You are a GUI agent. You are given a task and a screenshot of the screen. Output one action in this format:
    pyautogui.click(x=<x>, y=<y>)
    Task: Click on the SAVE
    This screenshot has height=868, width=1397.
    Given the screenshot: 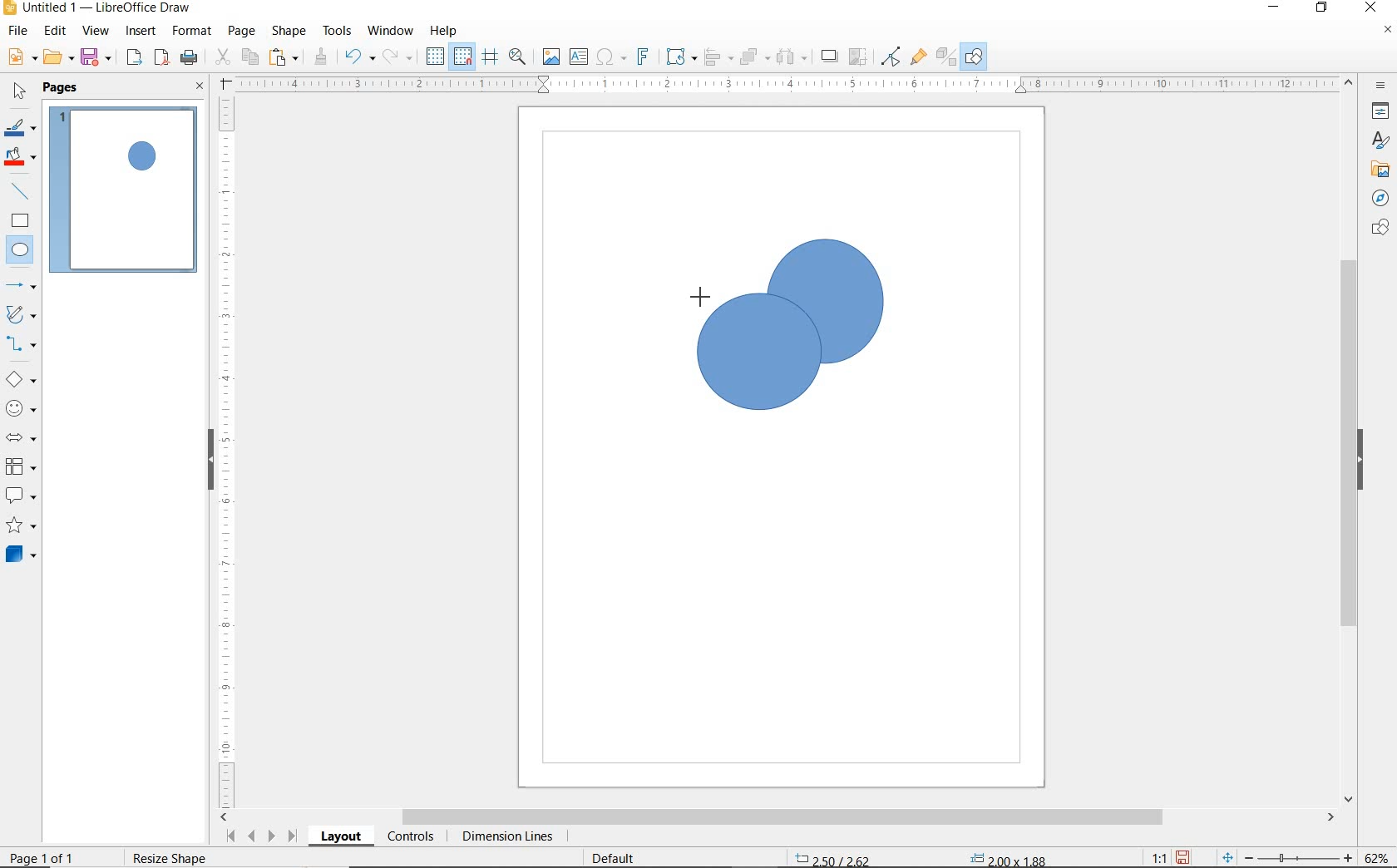 What is the action you would take?
    pyautogui.click(x=1185, y=856)
    